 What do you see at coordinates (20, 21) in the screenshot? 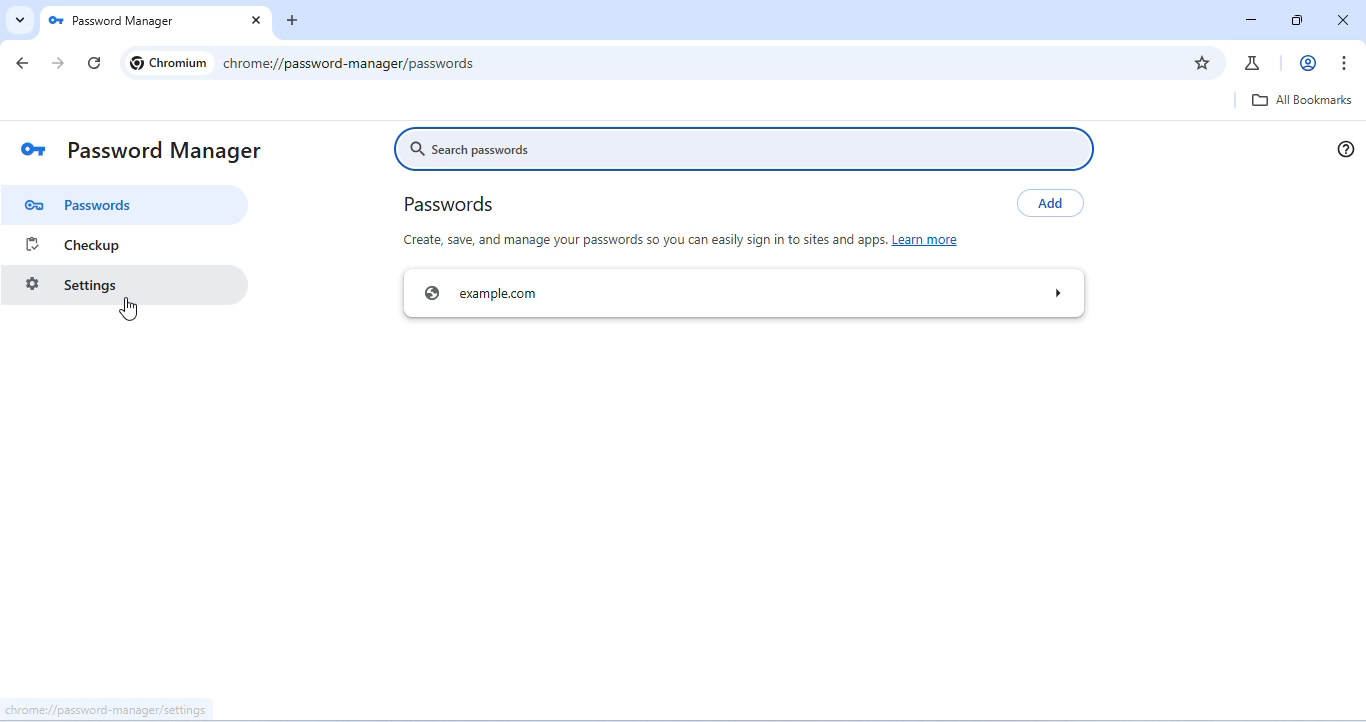
I see `search tabs` at bounding box center [20, 21].